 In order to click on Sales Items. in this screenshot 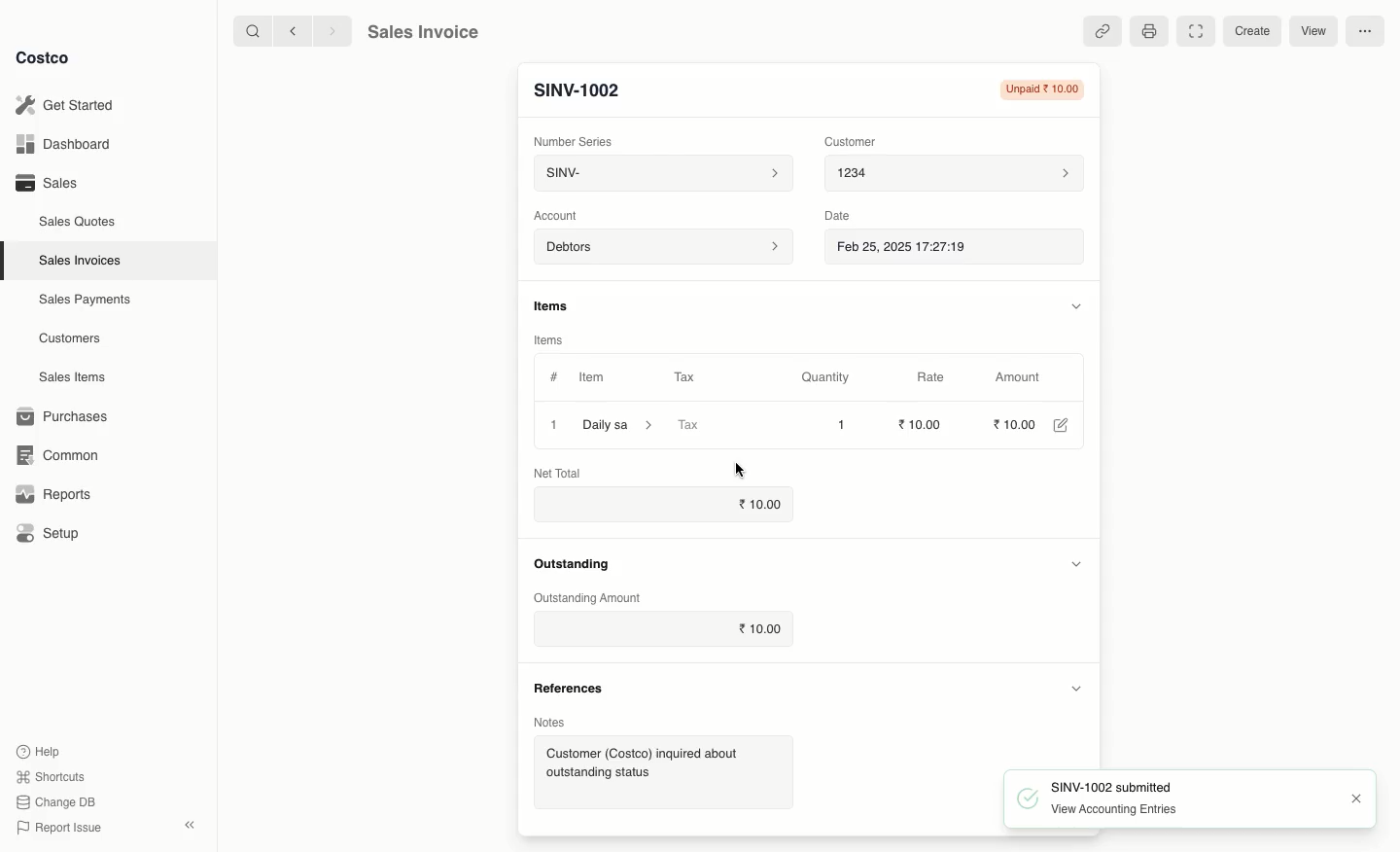, I will do `click(69, 378)`.